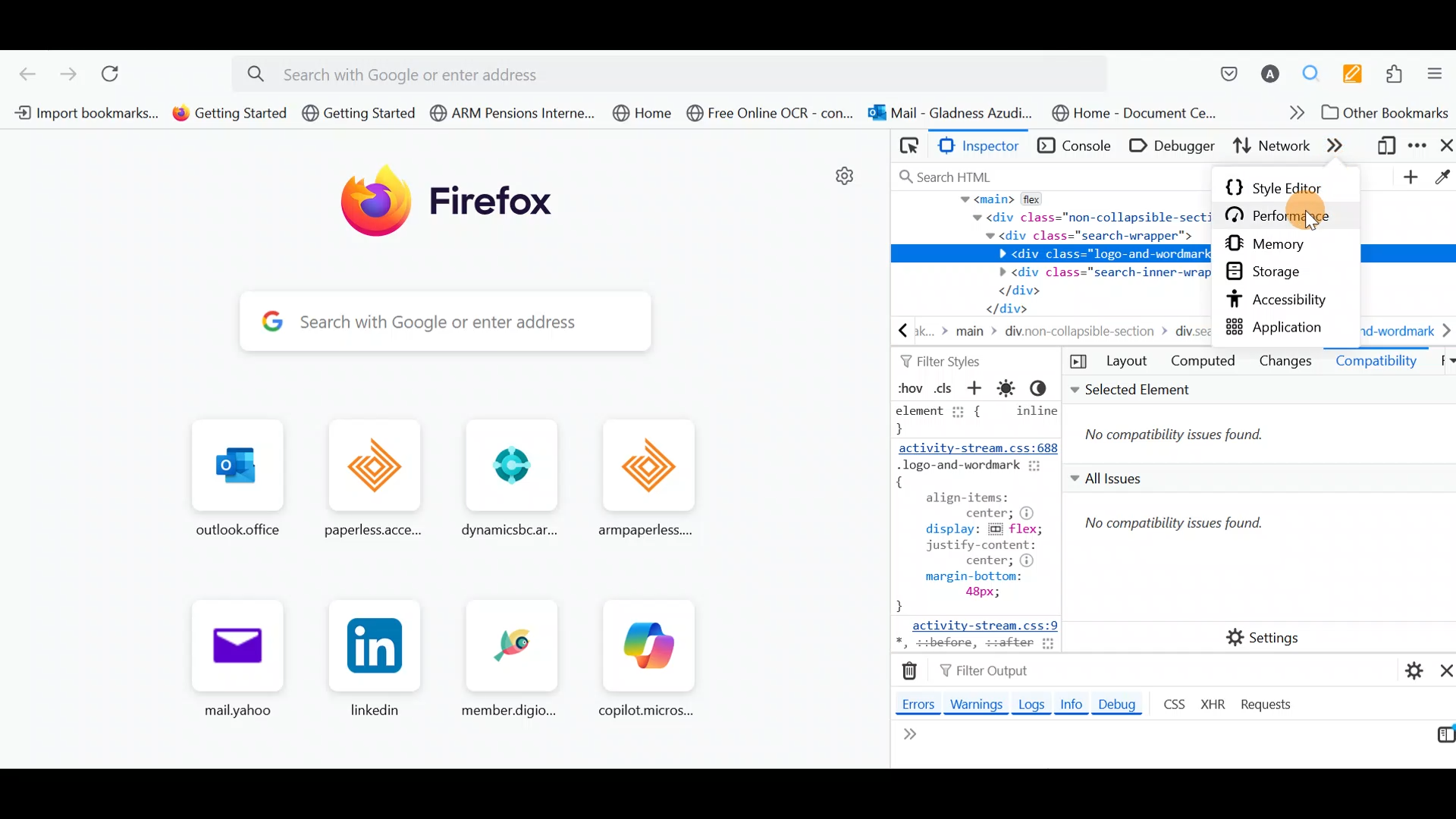 The width and height of the screenshot is (1456, 819). Describe the element at coordinates (1076, 146) in the screenshot. I see `Console` at that location.